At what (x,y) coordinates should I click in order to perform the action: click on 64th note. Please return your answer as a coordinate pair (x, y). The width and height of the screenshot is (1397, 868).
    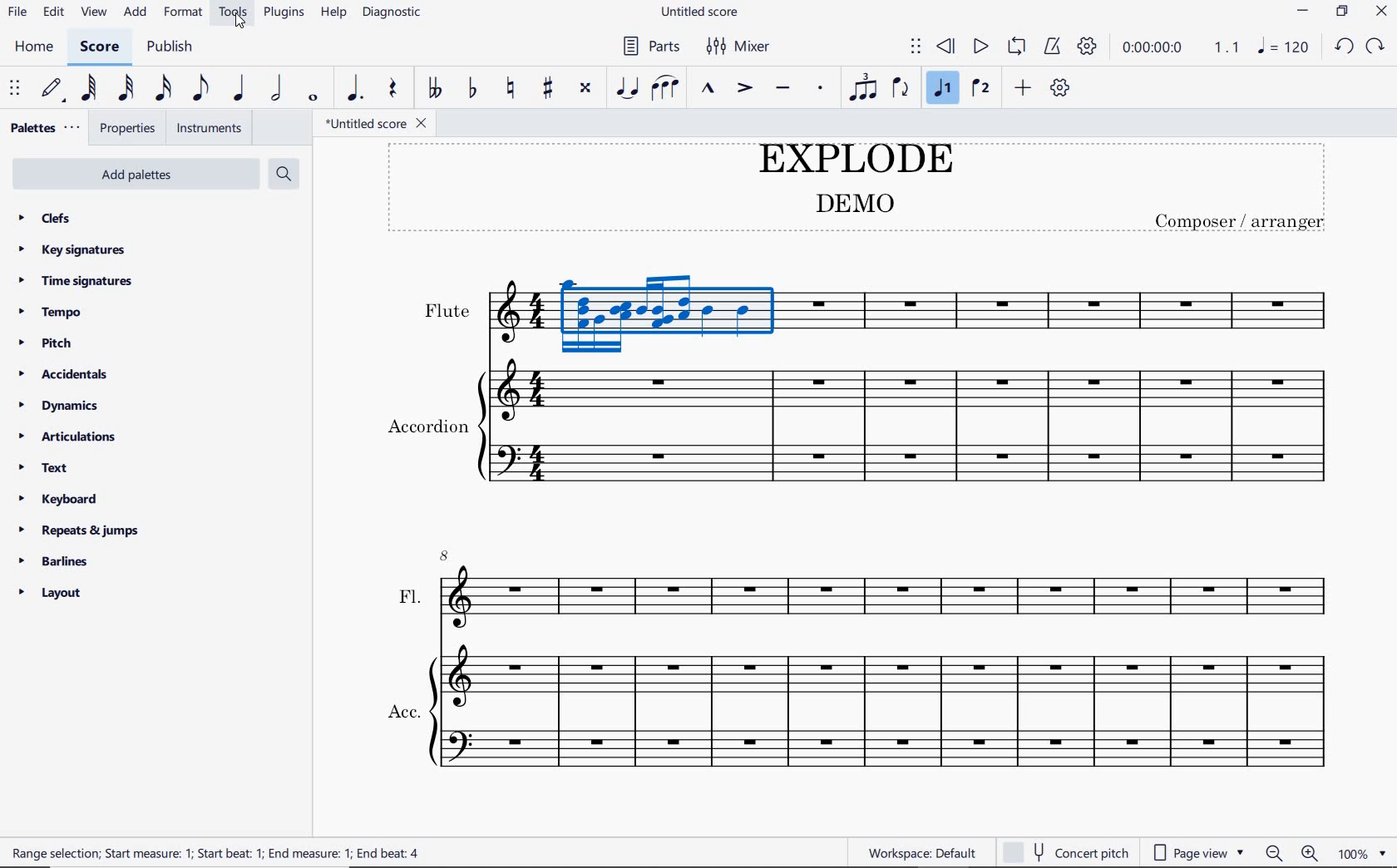
    Looking at the image, I should click on (89, 89).